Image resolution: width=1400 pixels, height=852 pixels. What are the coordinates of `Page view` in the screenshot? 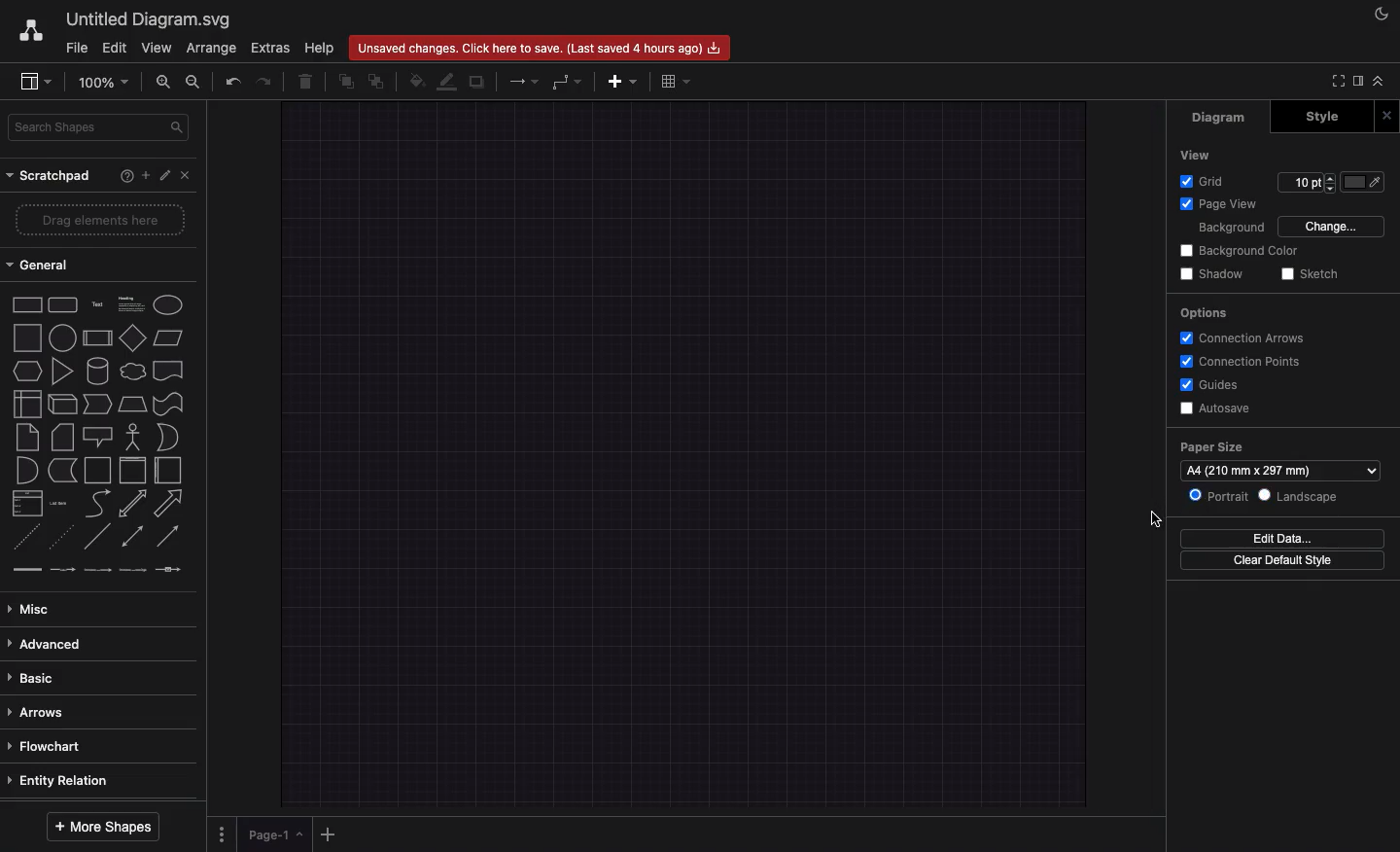 It's located at (1221, 204).